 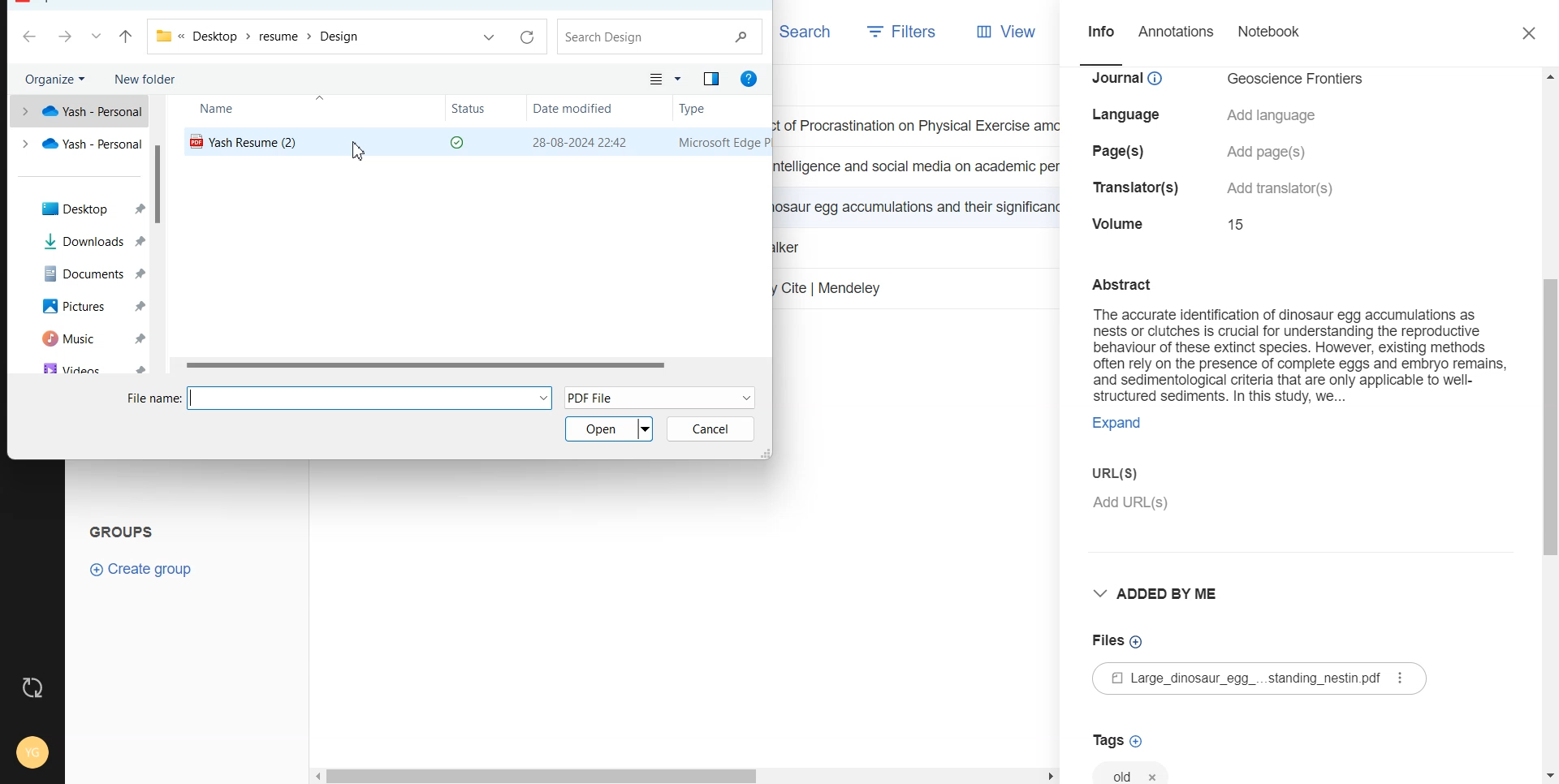 I want to click on expand, so click(x=1123, y=420).